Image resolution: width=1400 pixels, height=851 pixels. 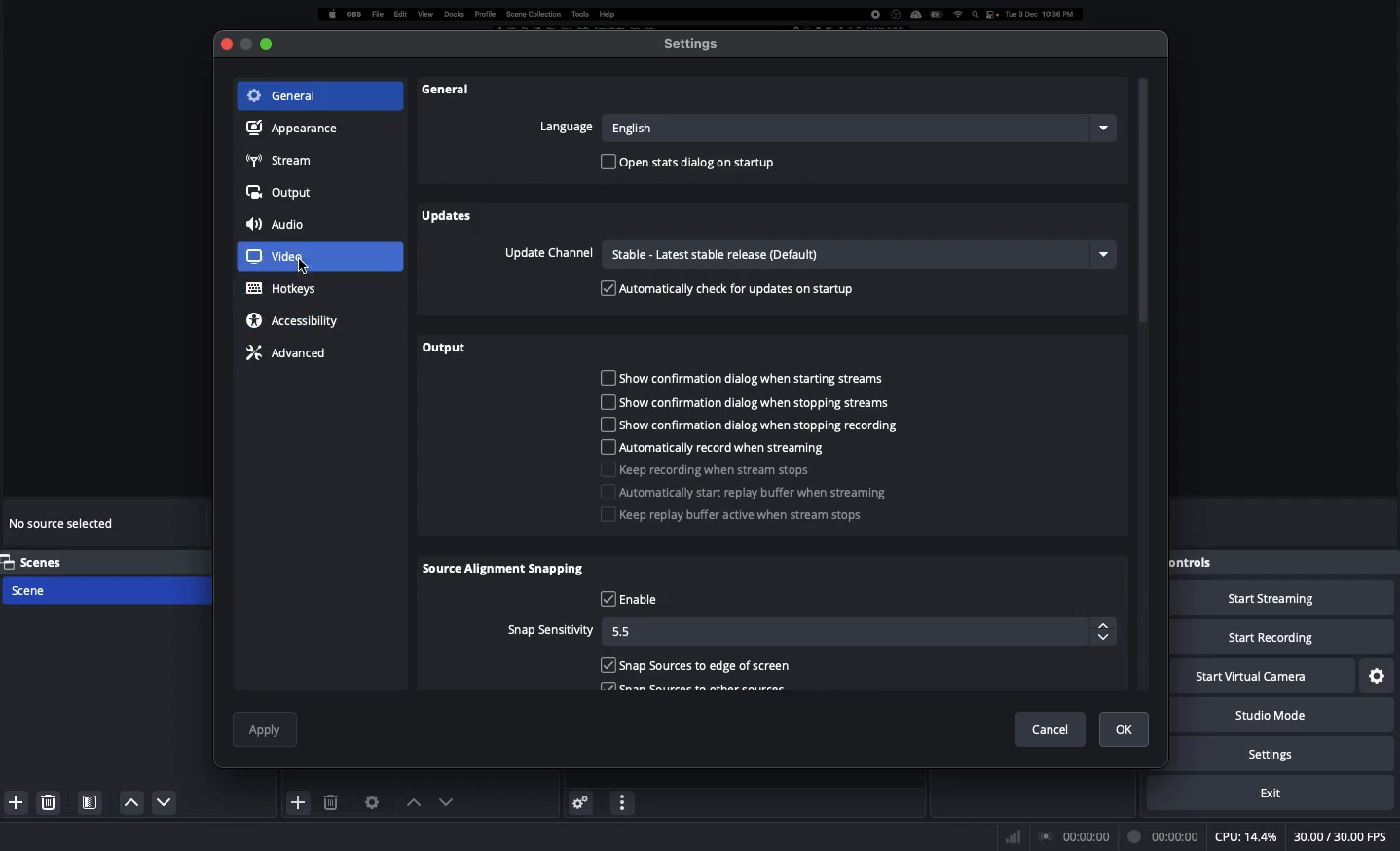 What do you see at coordinates (634, 600) in the screenshot?
I see `Enable` at bounding box center [634, 600].